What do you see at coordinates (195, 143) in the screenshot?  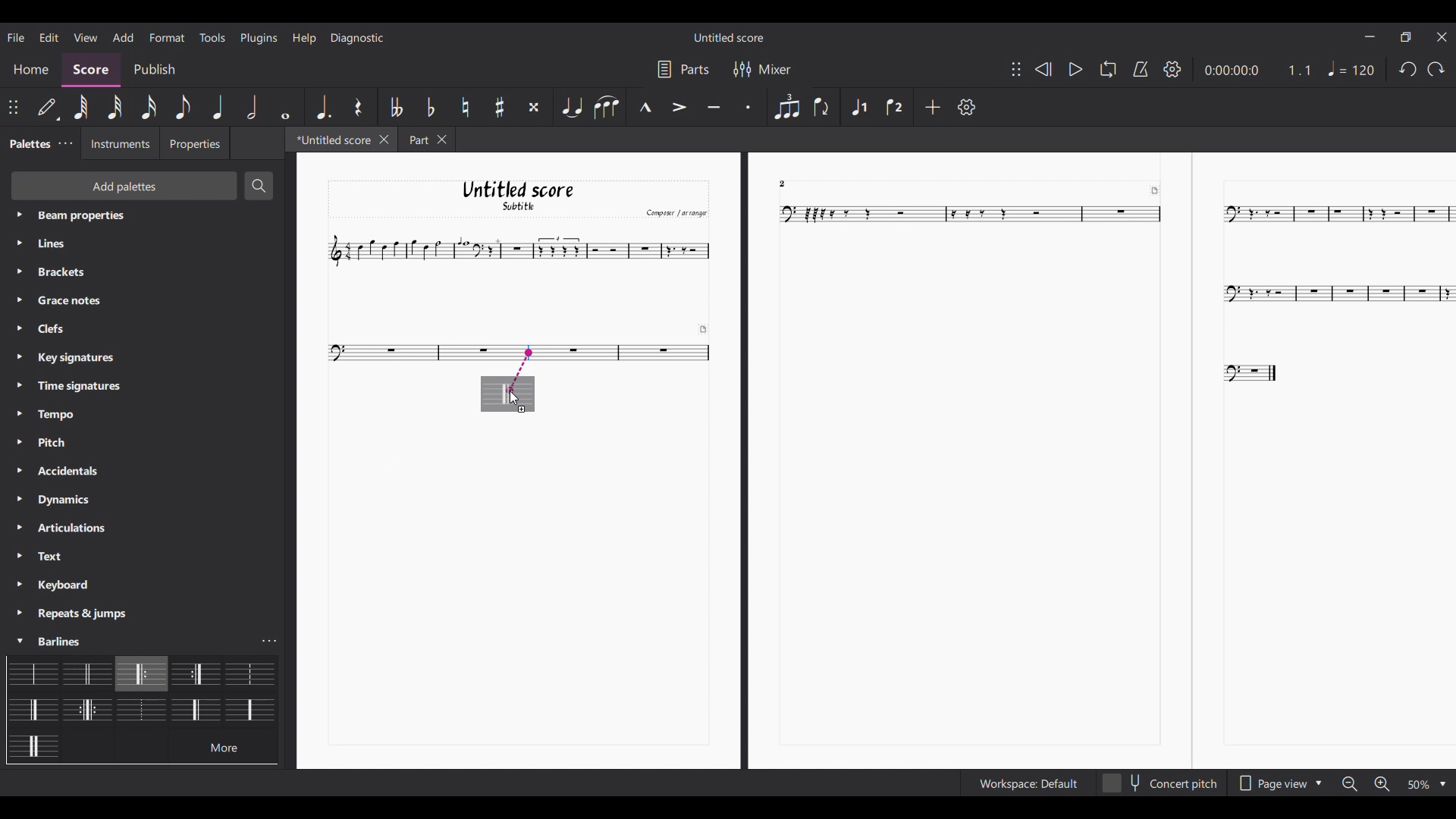 I see `Properties tab` at bounding box center [195, 143].